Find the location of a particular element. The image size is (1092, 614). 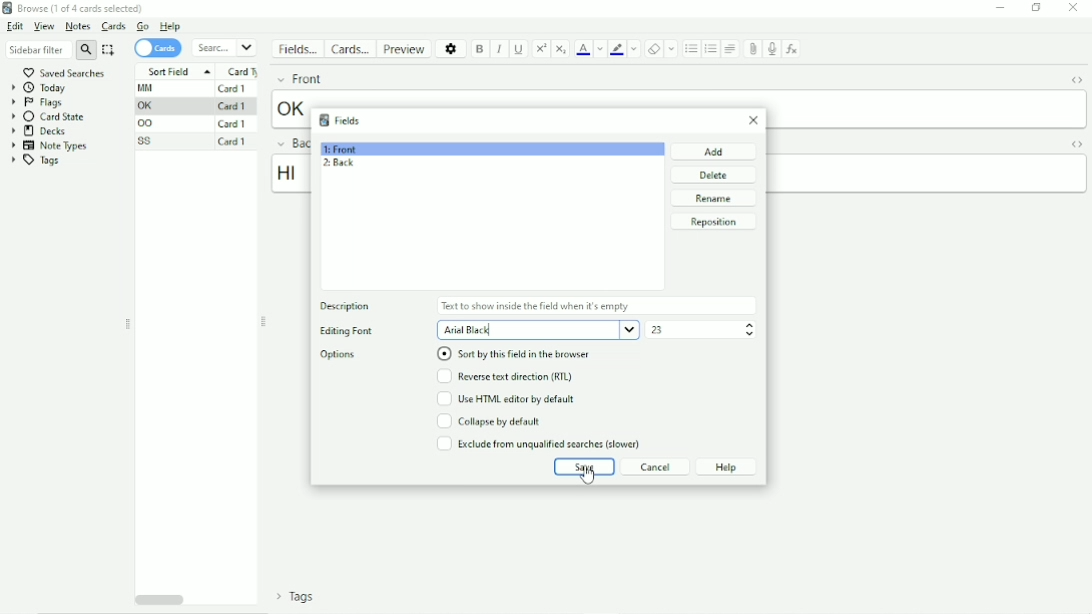

Text highlight color is located at coordinates (617, 50).